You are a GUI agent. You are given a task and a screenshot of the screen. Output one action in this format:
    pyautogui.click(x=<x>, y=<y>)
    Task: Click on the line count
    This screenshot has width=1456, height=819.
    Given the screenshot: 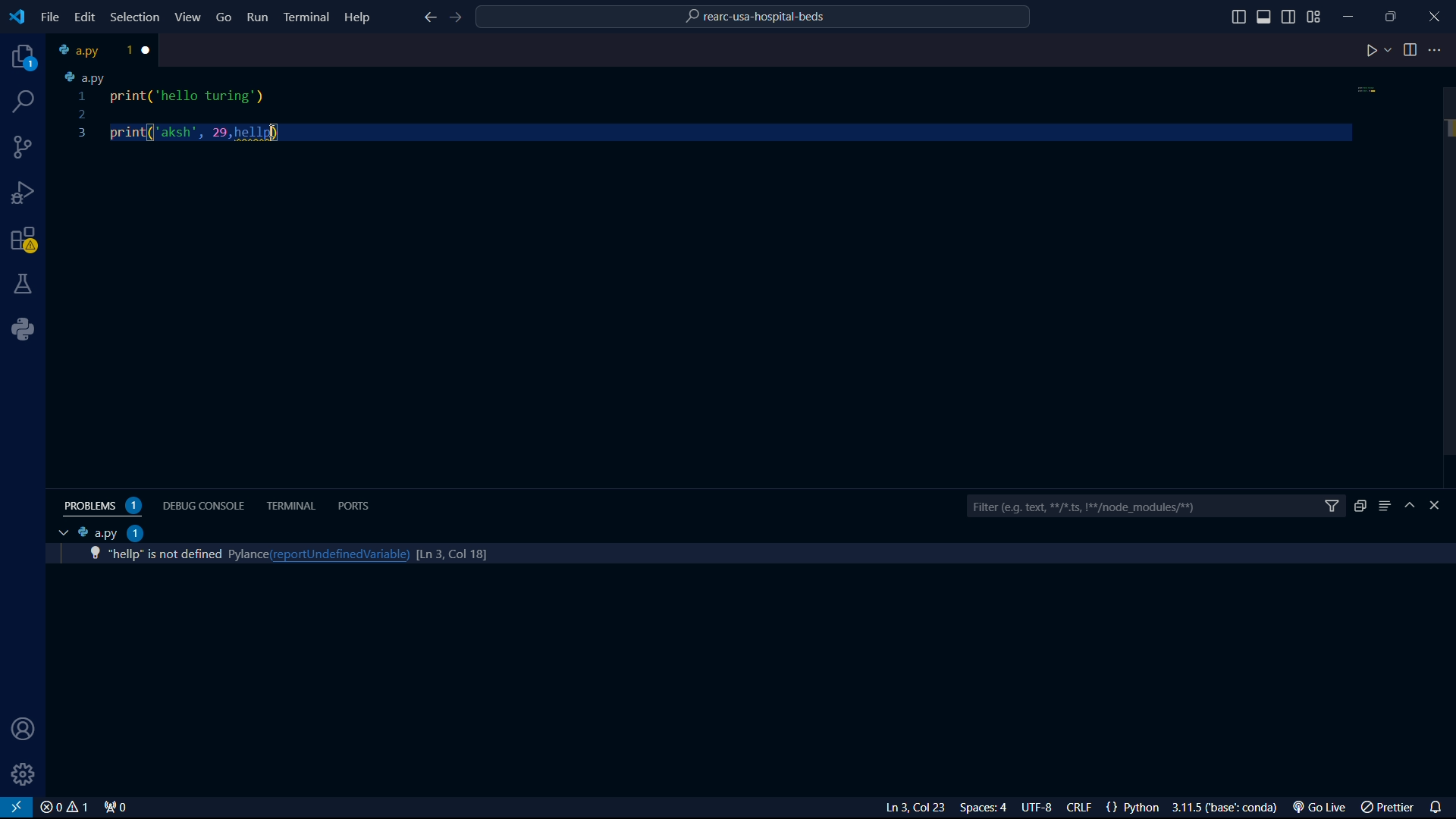 What is the action you would take?
    pyautogui.click(x=444, y=552)
    